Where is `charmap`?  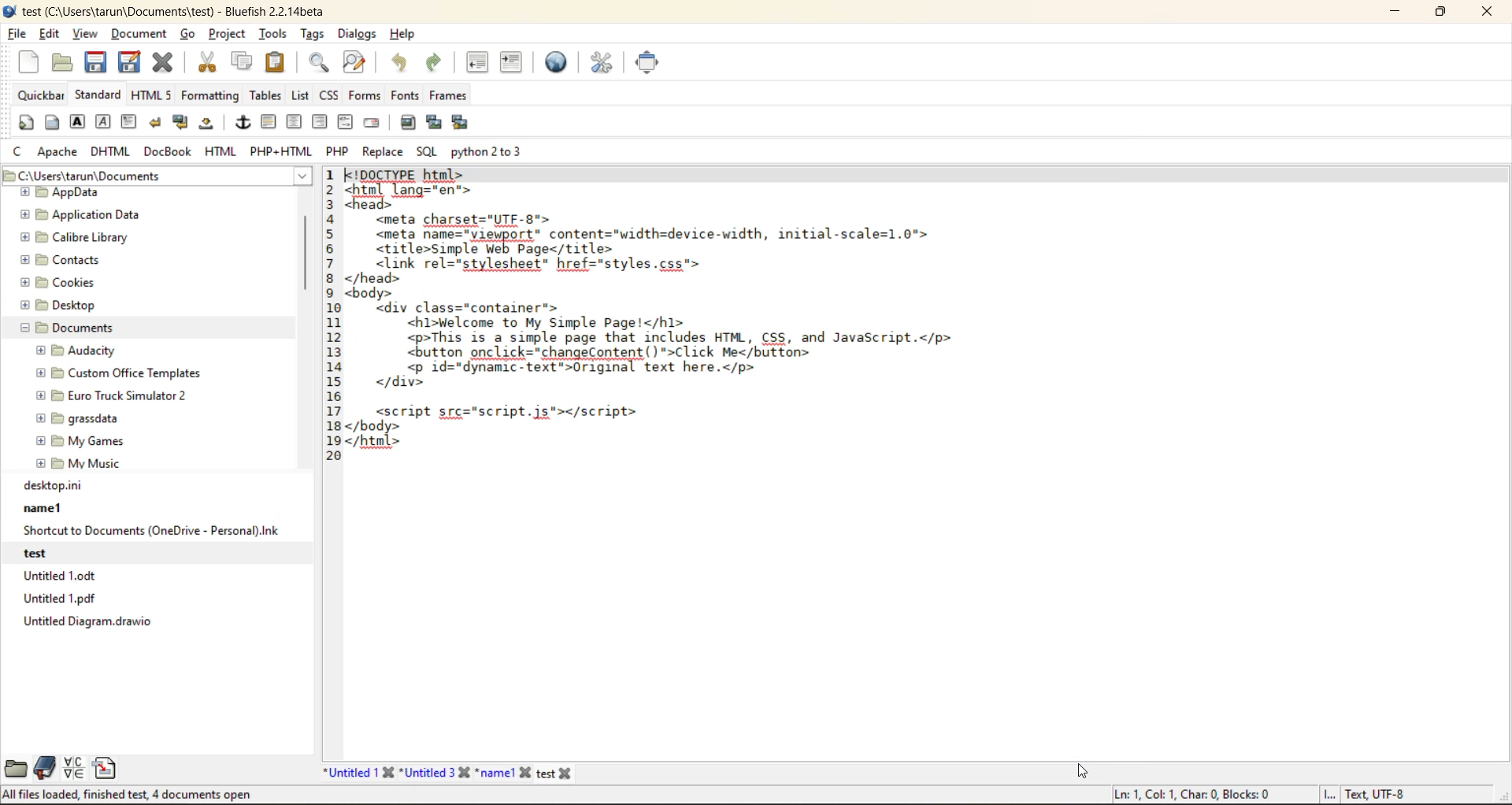 charmap is located at coordinates (76, 768).